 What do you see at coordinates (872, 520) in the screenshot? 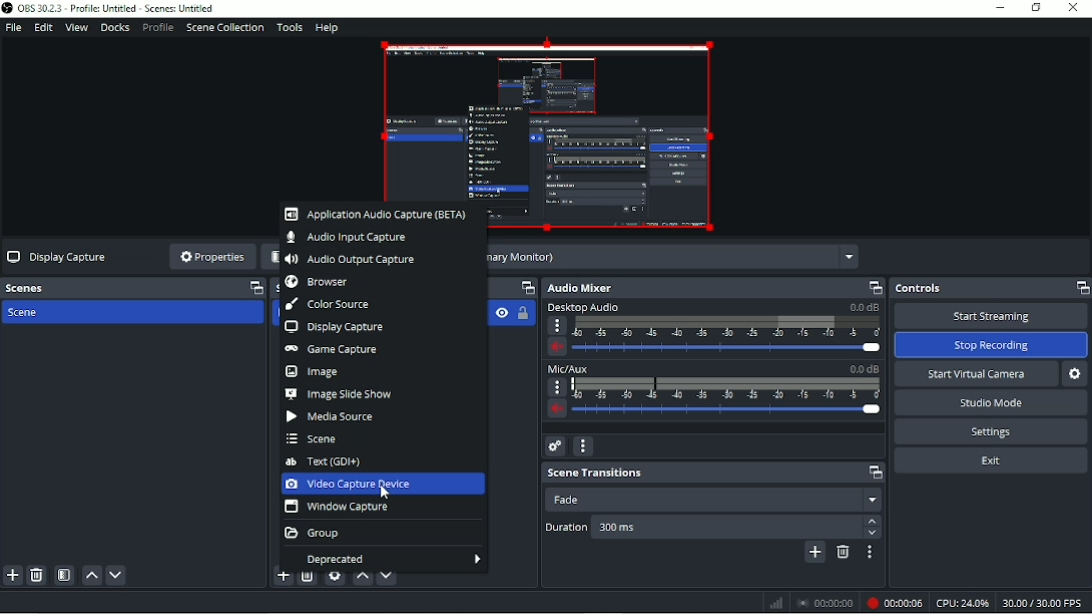
I see `Up arrow` at bounding box center [872, 520].